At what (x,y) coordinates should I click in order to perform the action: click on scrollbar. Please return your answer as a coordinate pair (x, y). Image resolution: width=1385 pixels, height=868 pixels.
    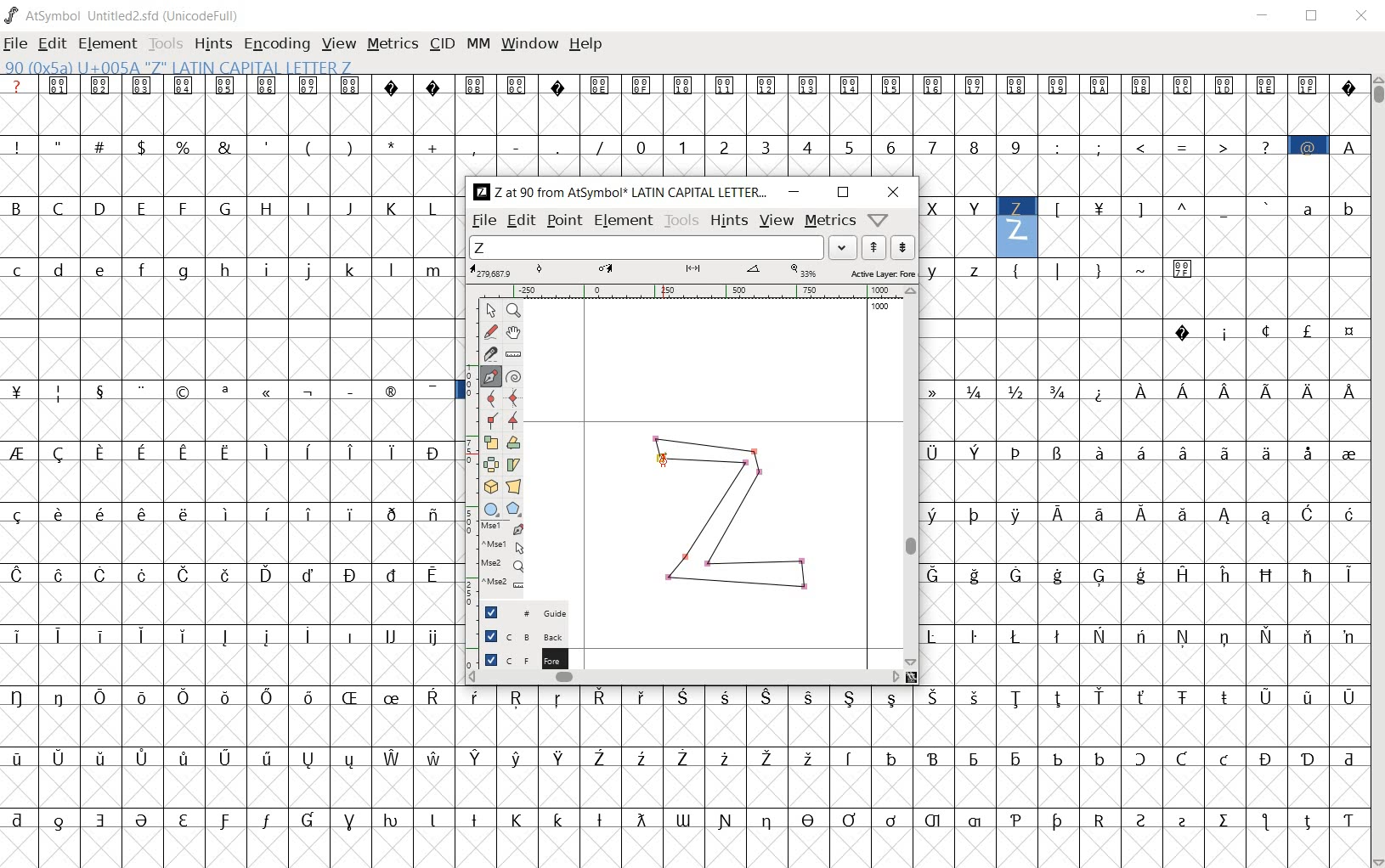
    Looking at the image, I should click on (685, 679).